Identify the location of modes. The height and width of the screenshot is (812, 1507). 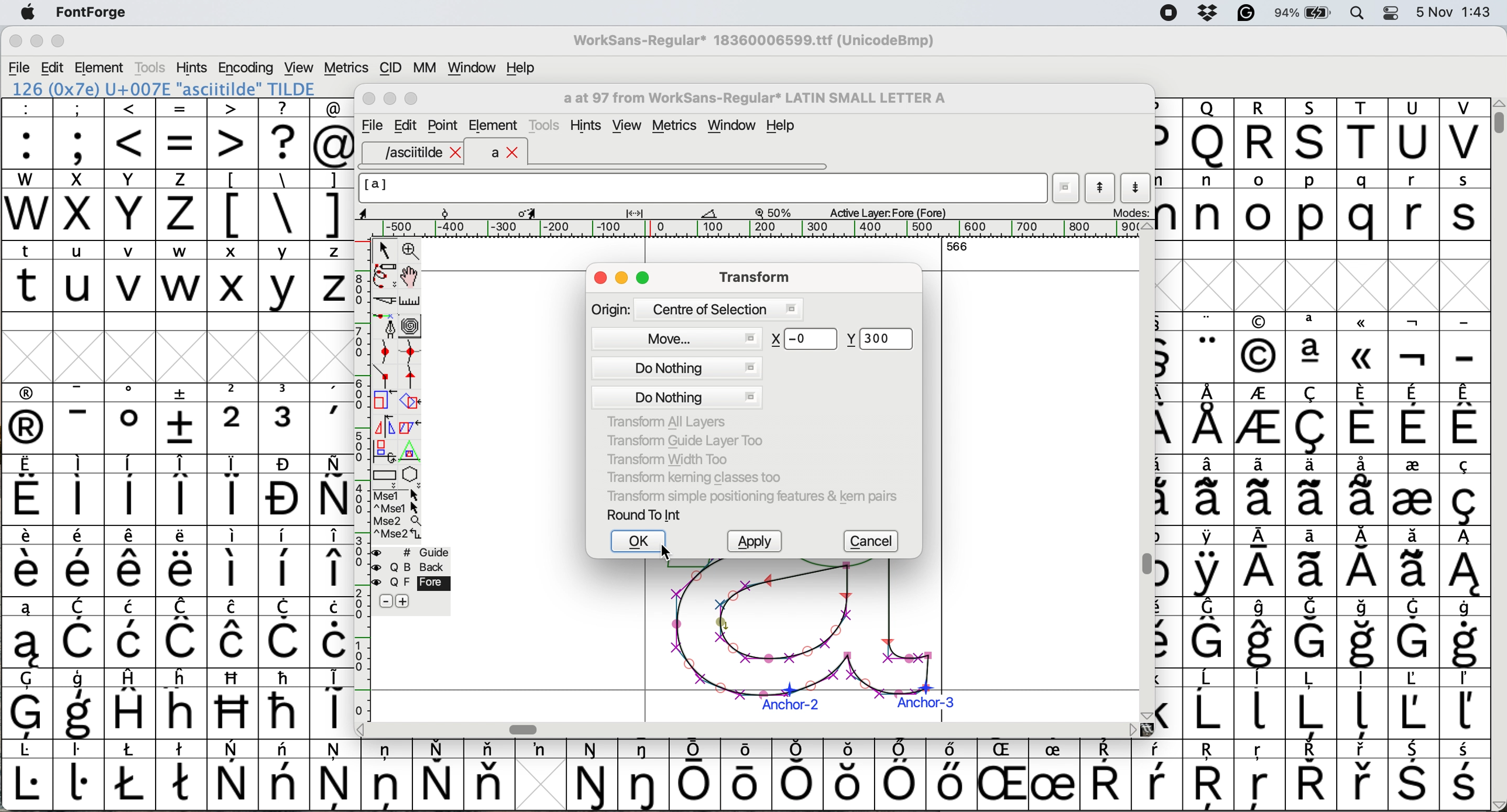
(1130, 212).